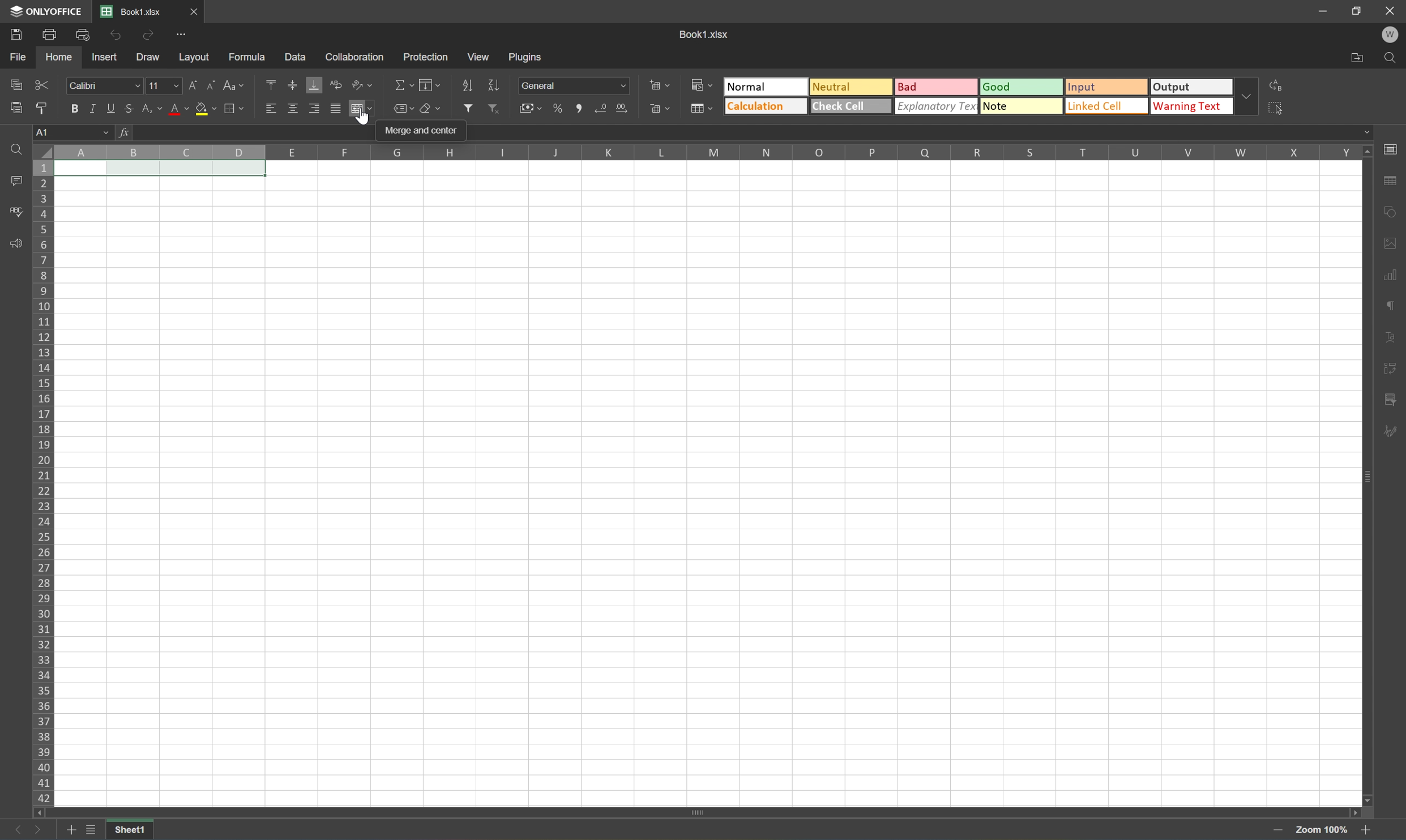 This screenshot has width=1406, height=840. I want to click on Neutral, so click(848, 85).